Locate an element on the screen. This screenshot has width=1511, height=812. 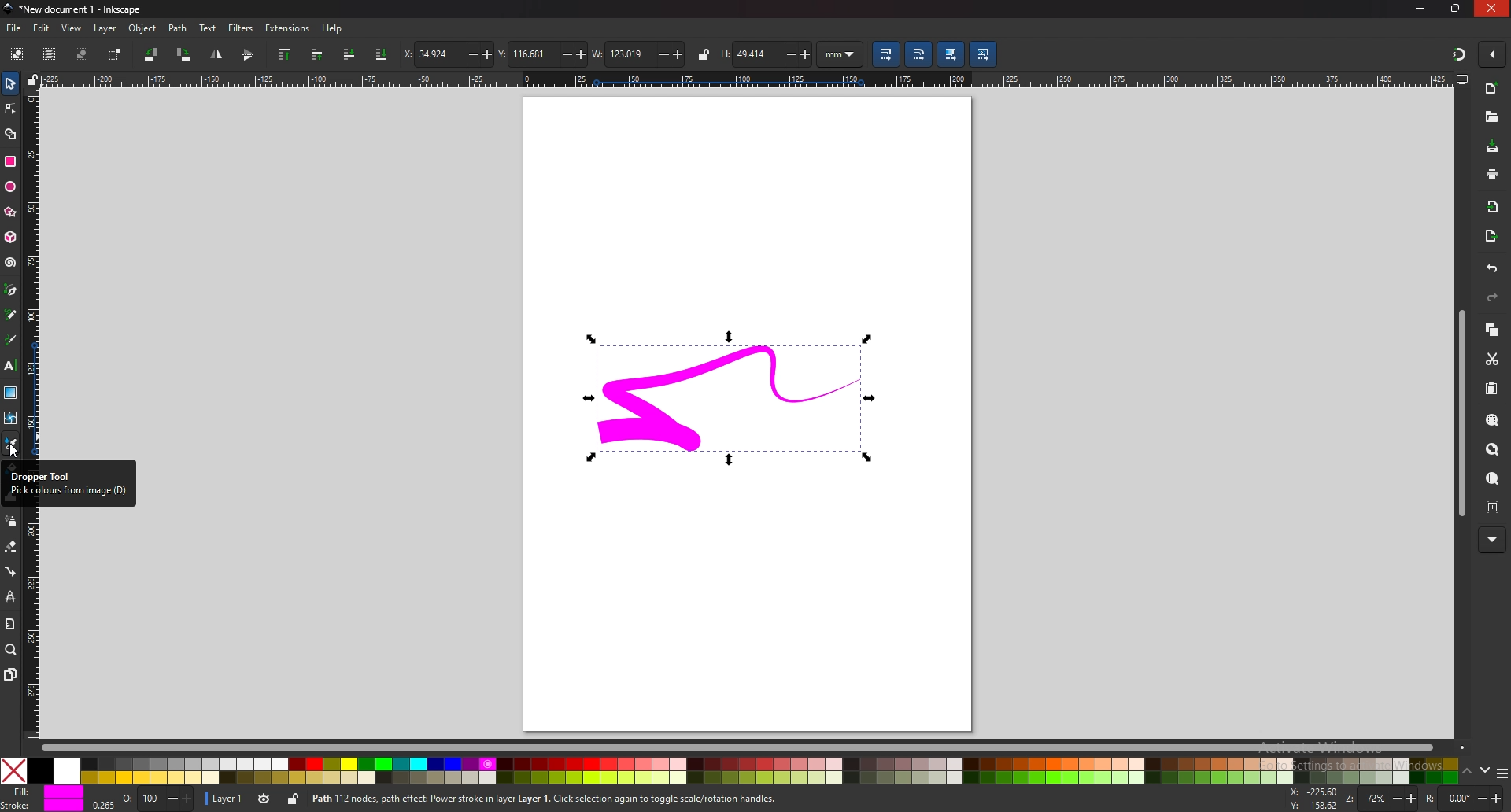
save is located at coordinates (1492, 149).